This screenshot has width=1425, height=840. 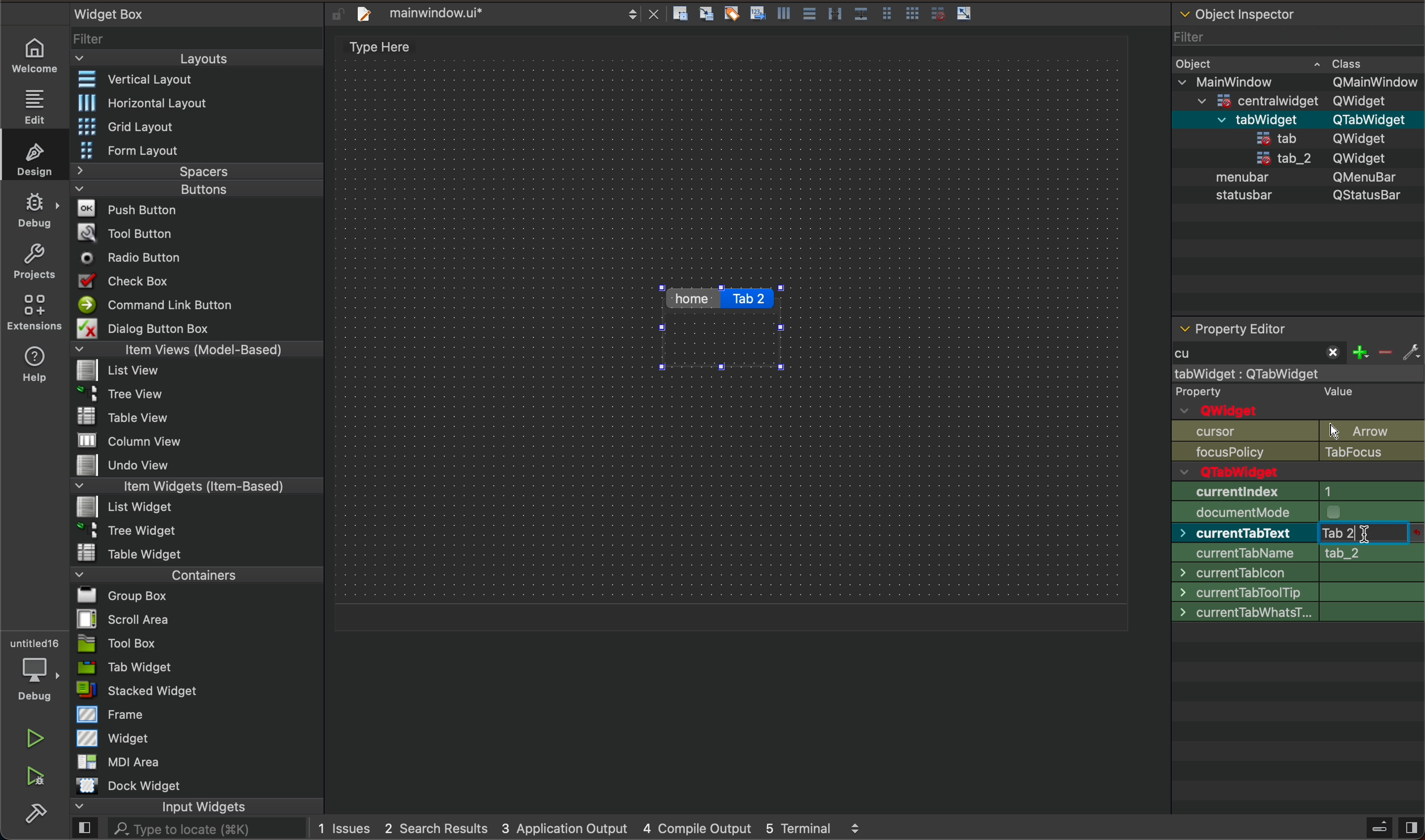 I want to click on geometry, so click(x=1300, y=491).